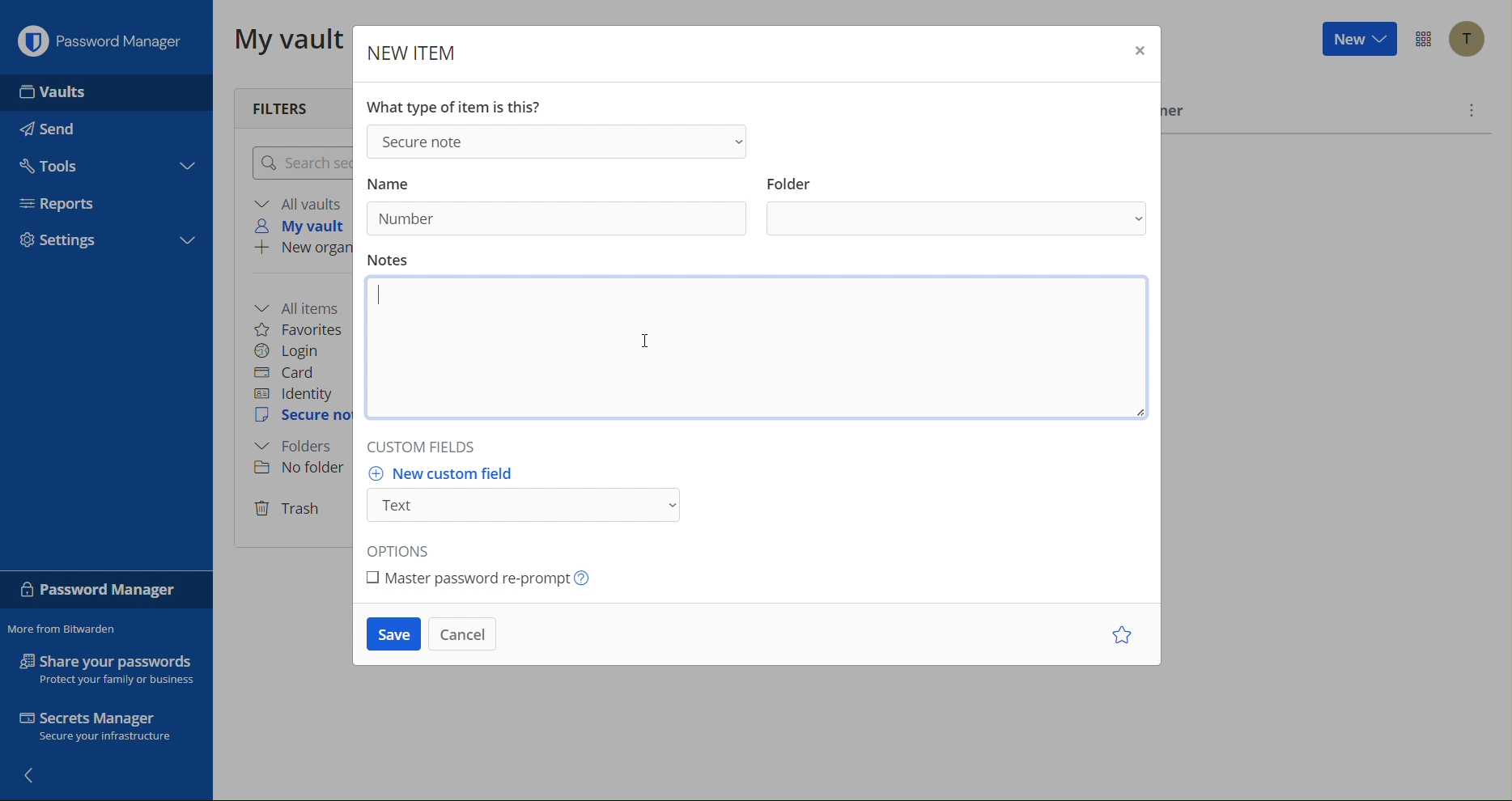 The width and height of the screenshot is (1512, 801). I want to click on My vault, so click(283, 40).